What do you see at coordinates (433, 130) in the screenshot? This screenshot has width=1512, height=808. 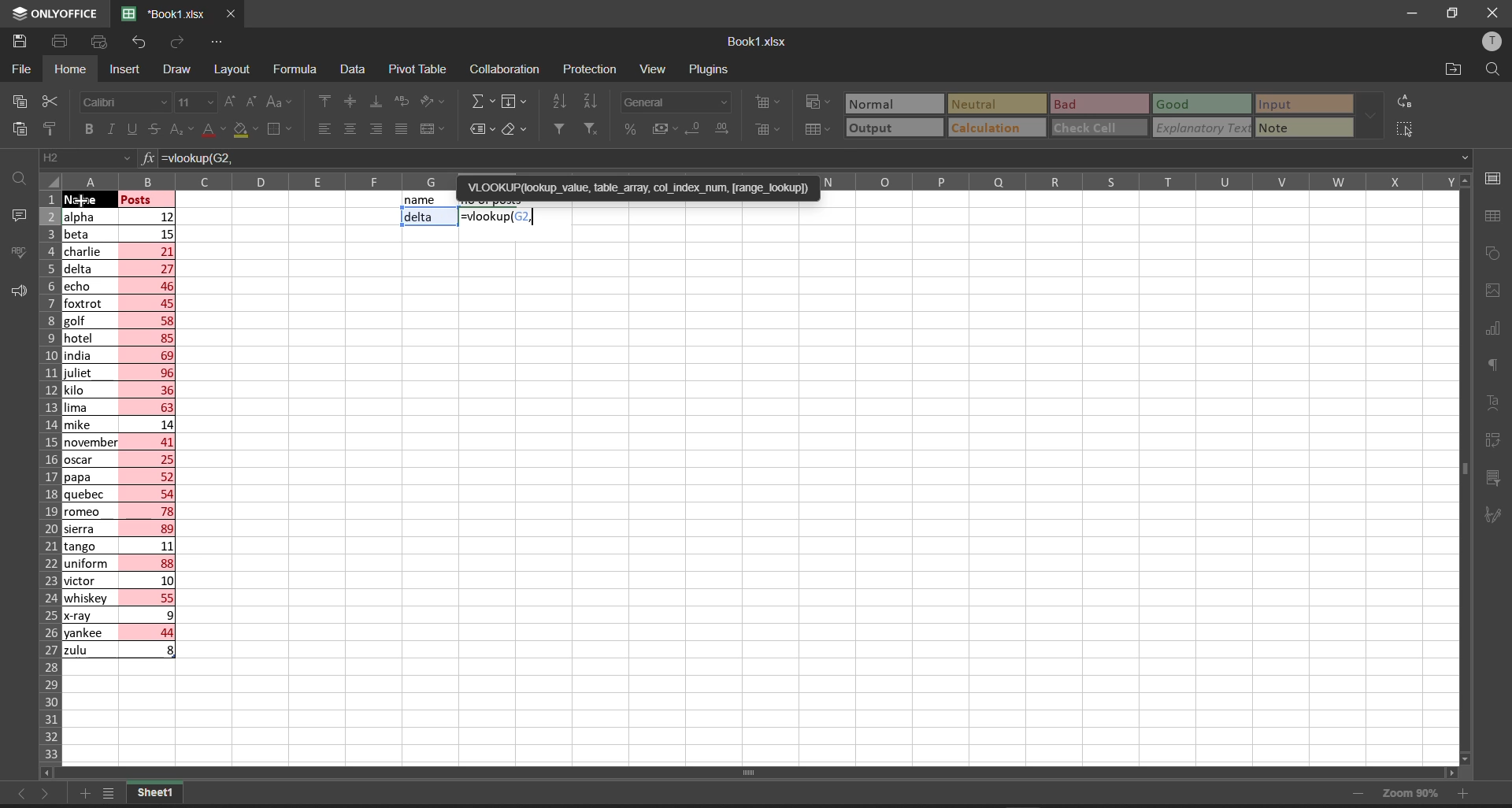 I see `merge and center` at bounding box center [433, 130].